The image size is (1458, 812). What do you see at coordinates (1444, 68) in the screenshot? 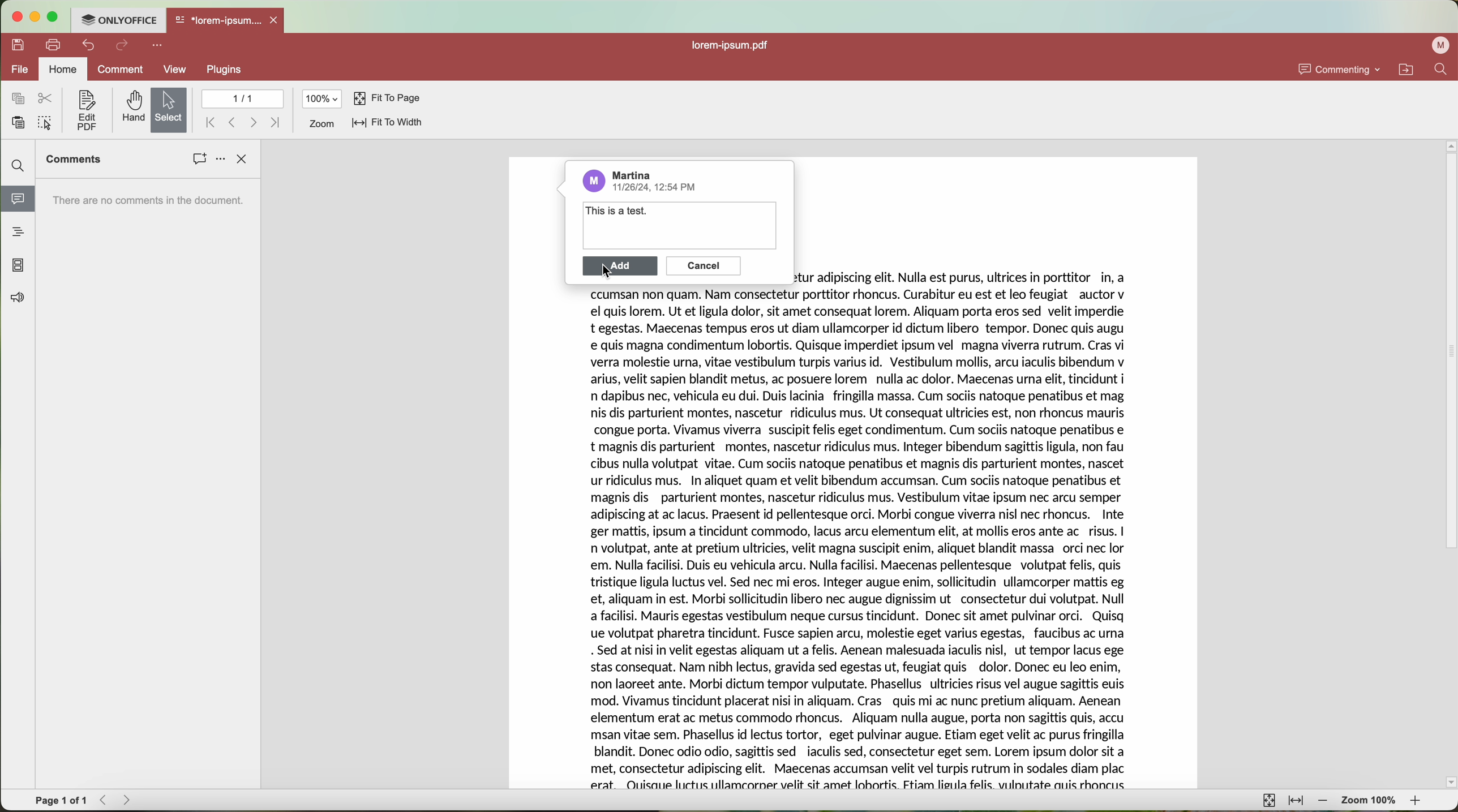
I see `search` at bounding box center [1444, 68].